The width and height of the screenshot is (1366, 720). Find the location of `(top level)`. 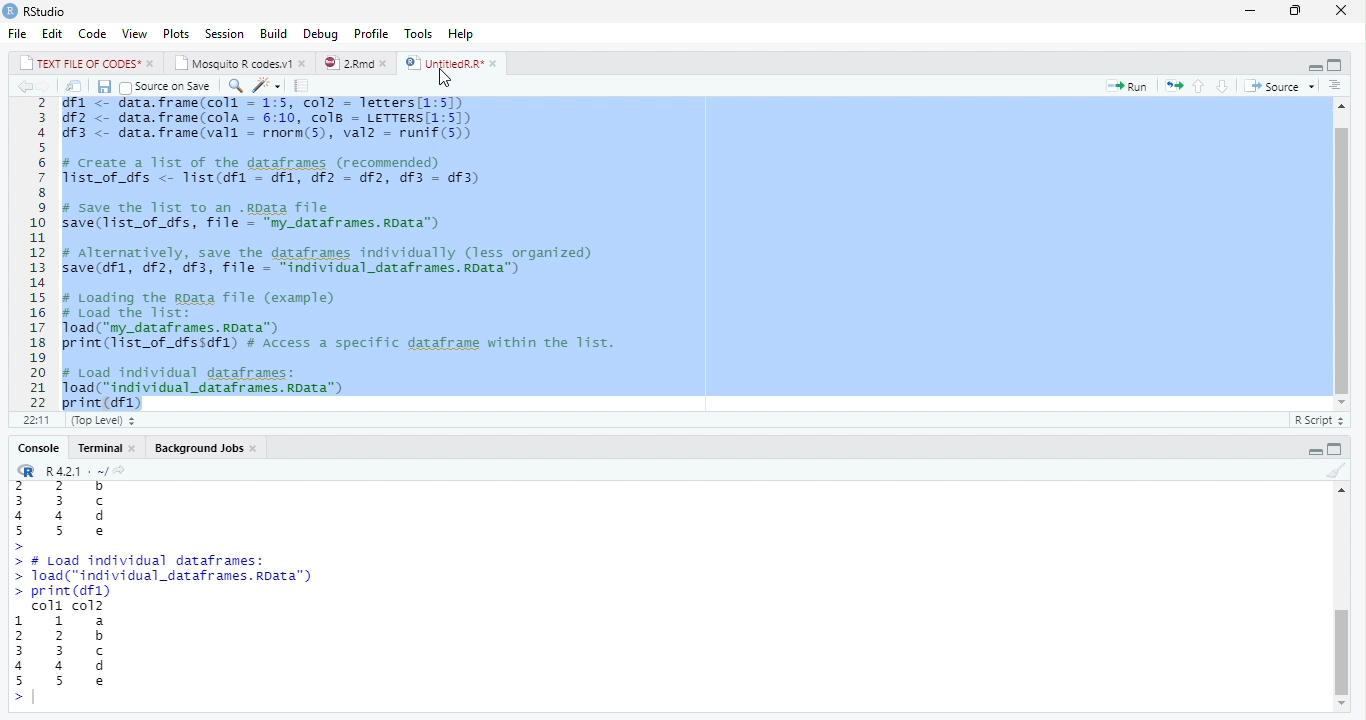

(top level) is located at coordinates (101, 420).